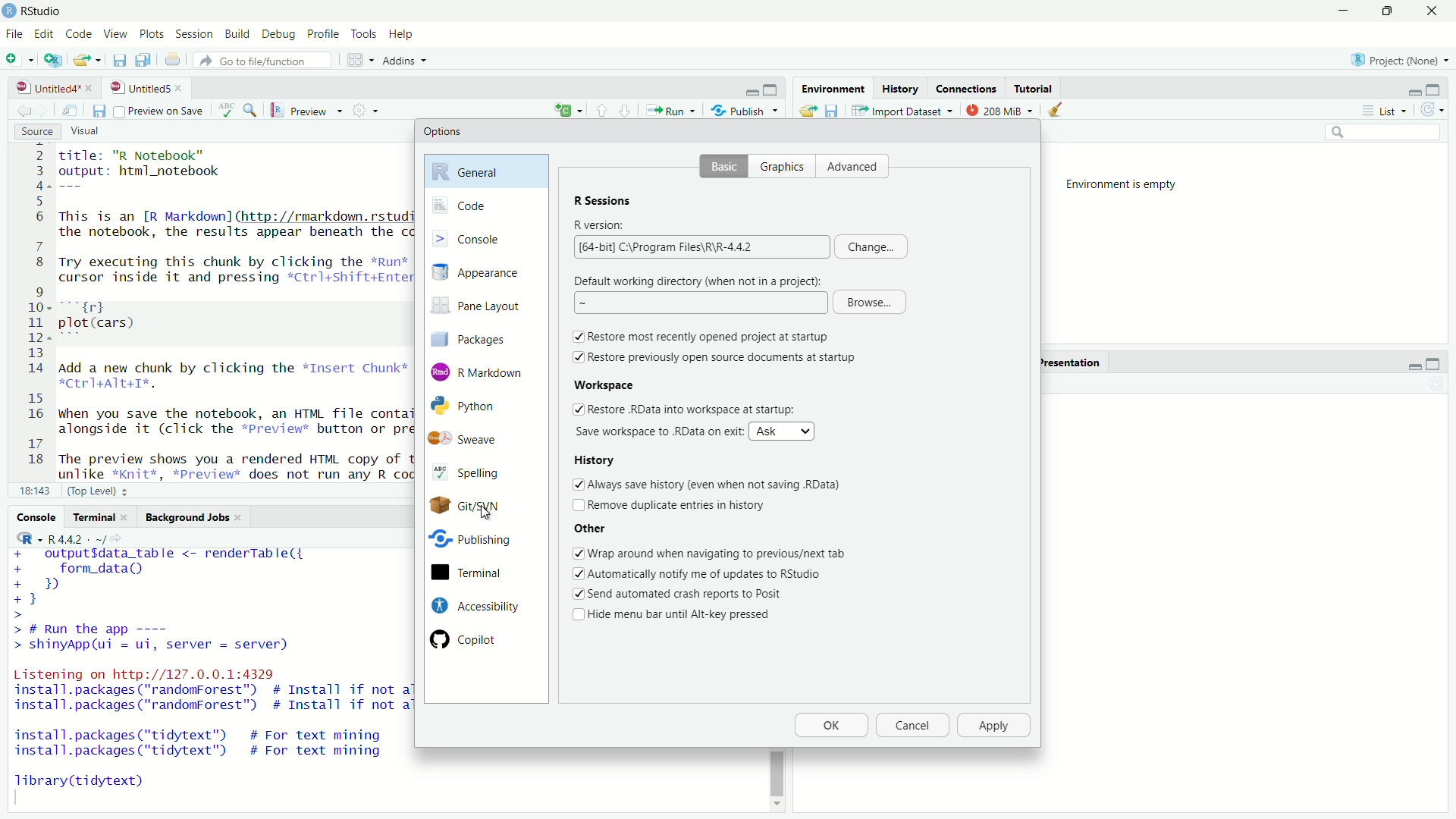  I want to click on Environment, so click(831, 88).